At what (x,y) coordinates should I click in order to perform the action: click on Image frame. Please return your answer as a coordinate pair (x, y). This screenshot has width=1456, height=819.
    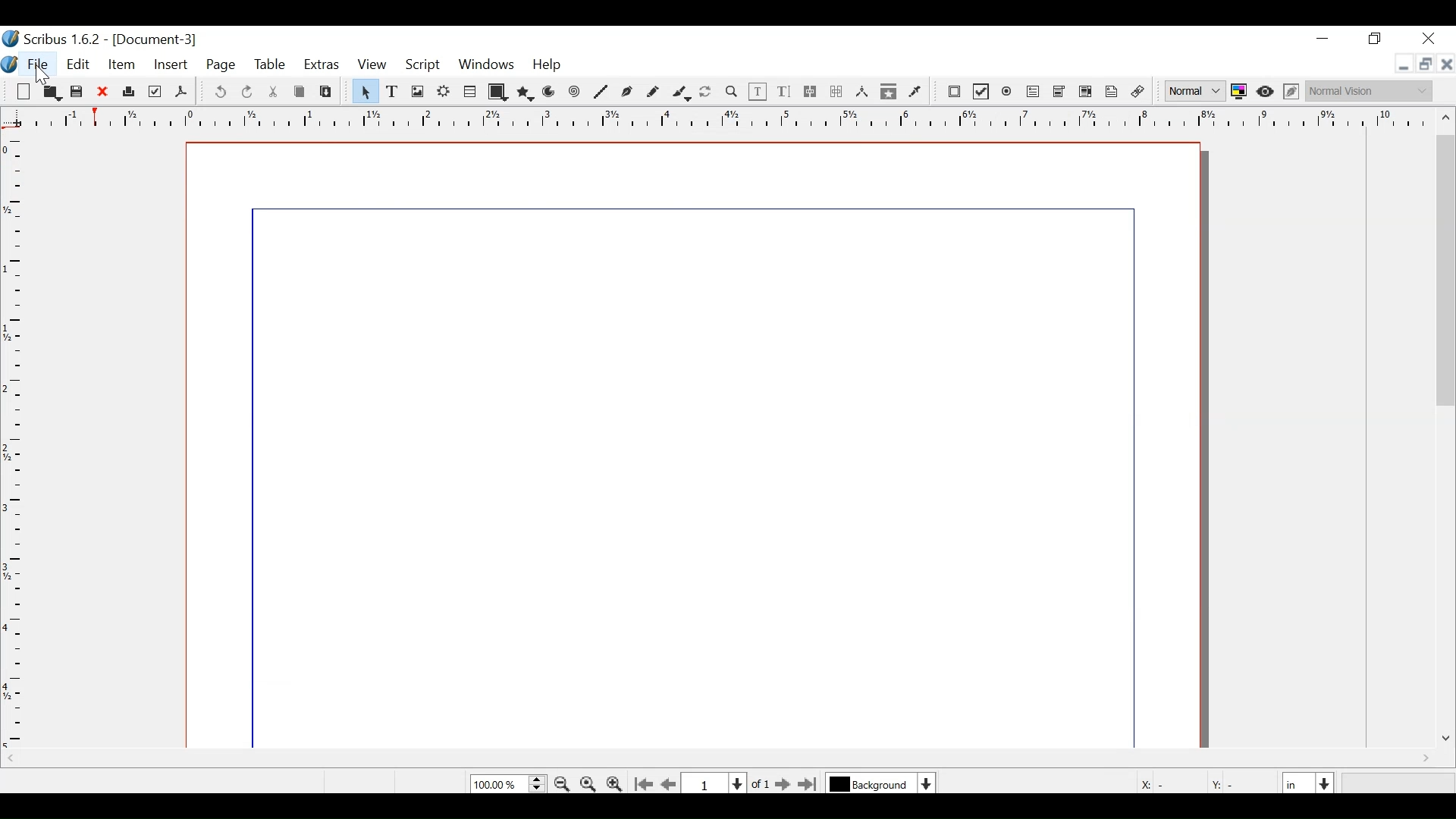
    Looking at the image, I should click on (416, 91).